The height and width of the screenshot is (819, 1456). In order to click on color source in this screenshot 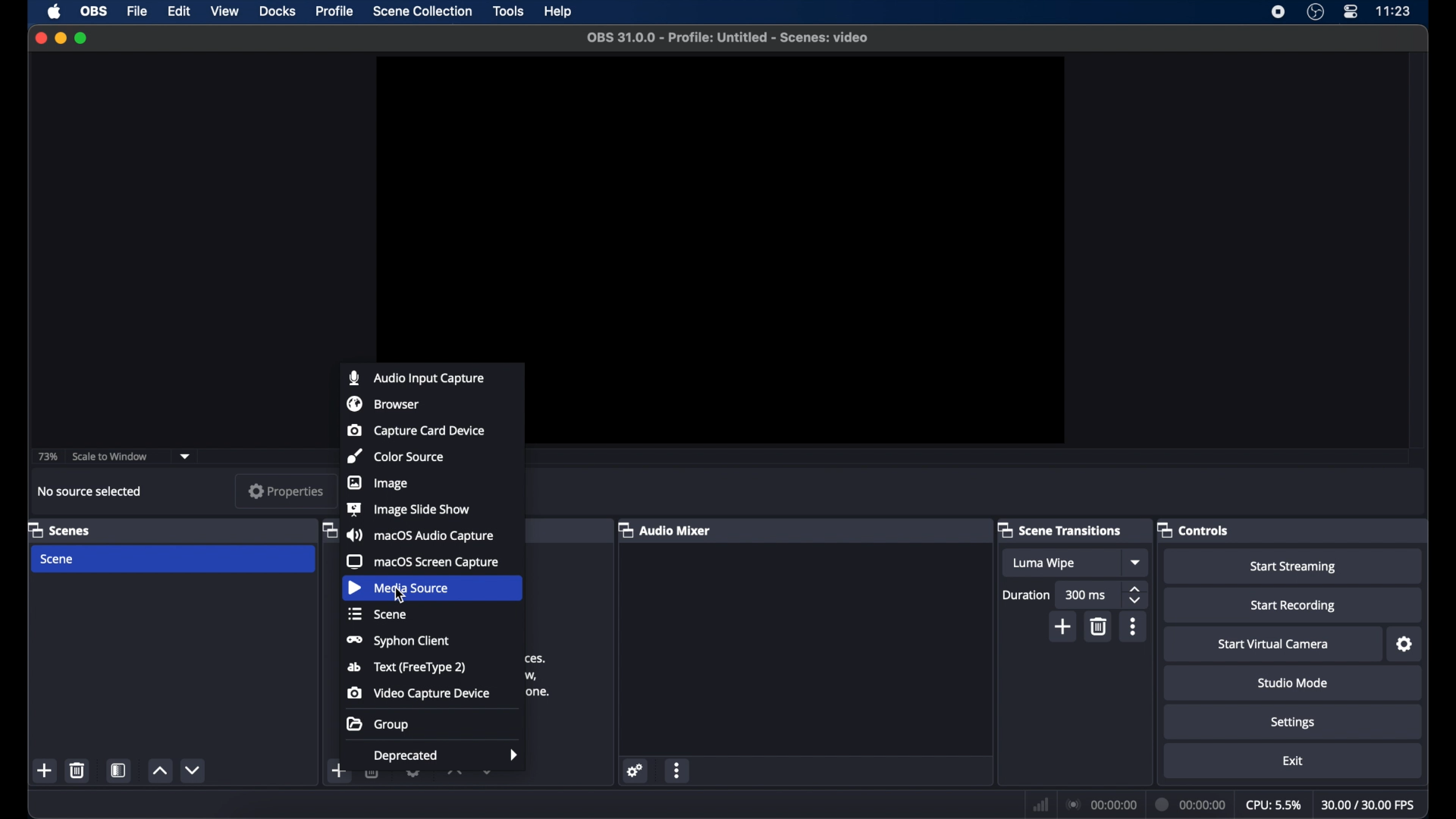, I will do `click(395, 457)`.